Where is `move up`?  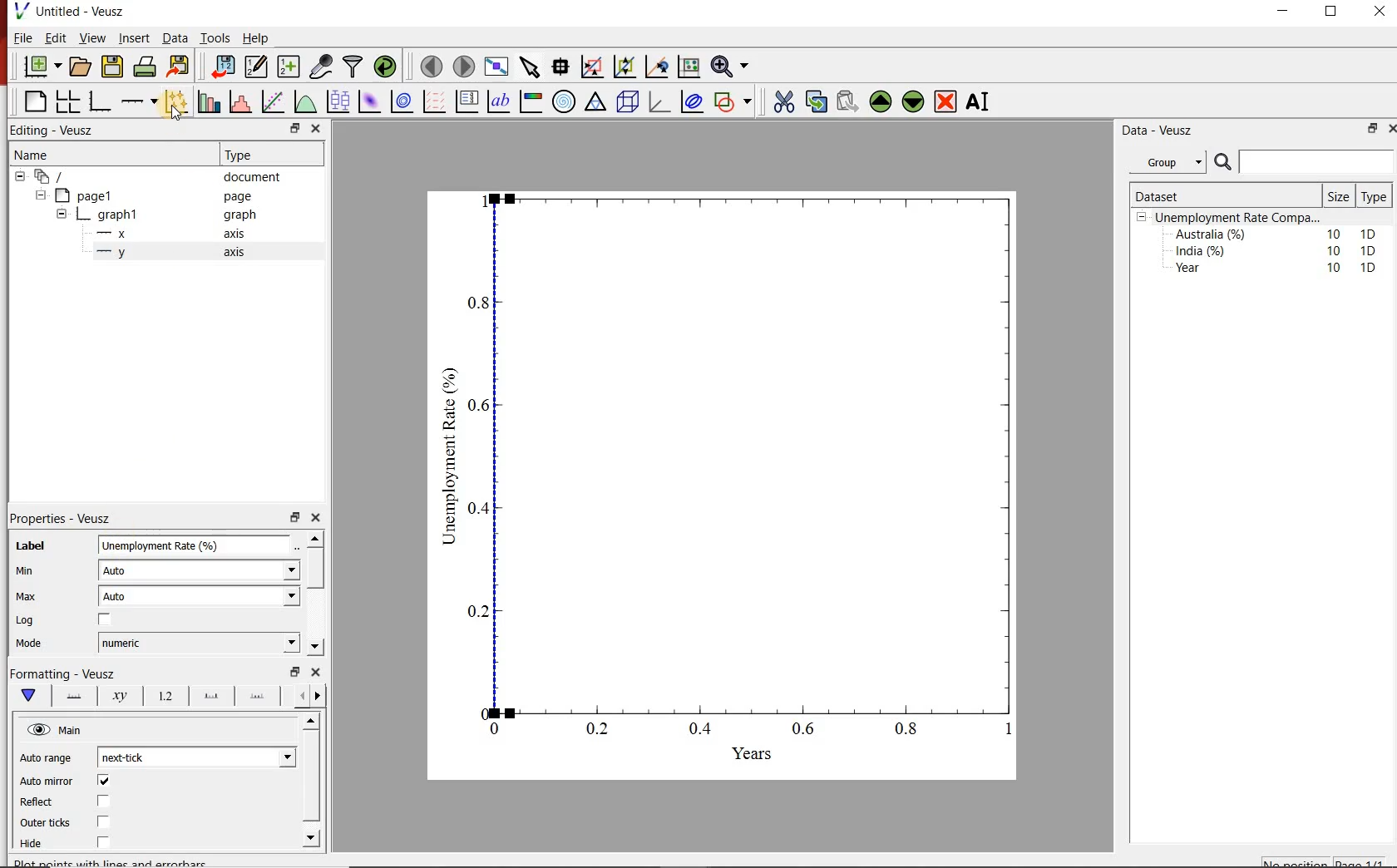
move up is located at coordinates (315, 538).